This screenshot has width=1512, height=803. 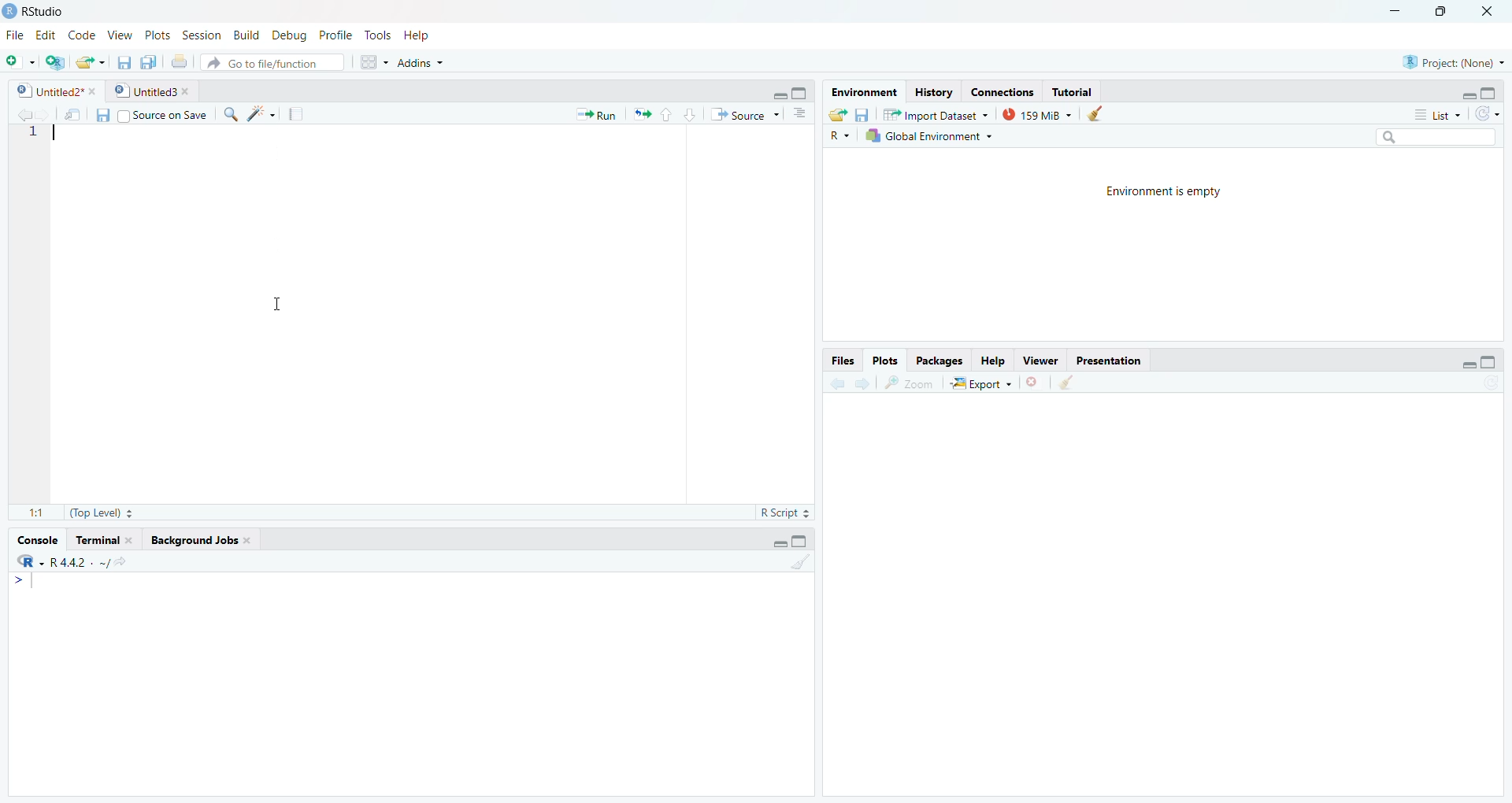 What do you see at coordinates (1397, 9) in the screenshot?
I see `Minimize` at bounding box center [1397, 9].